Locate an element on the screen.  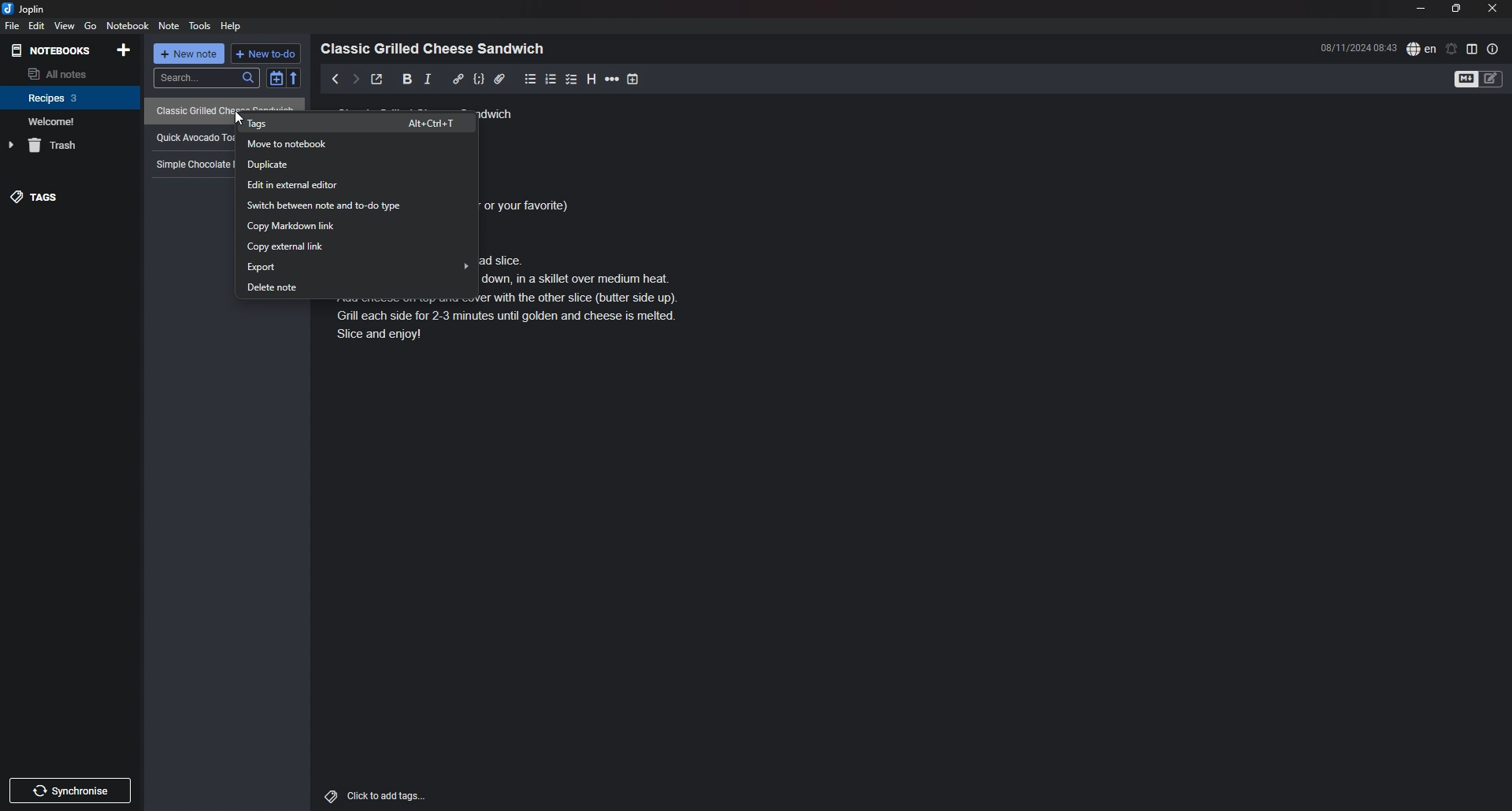
view is located at coordinates (64, 26).